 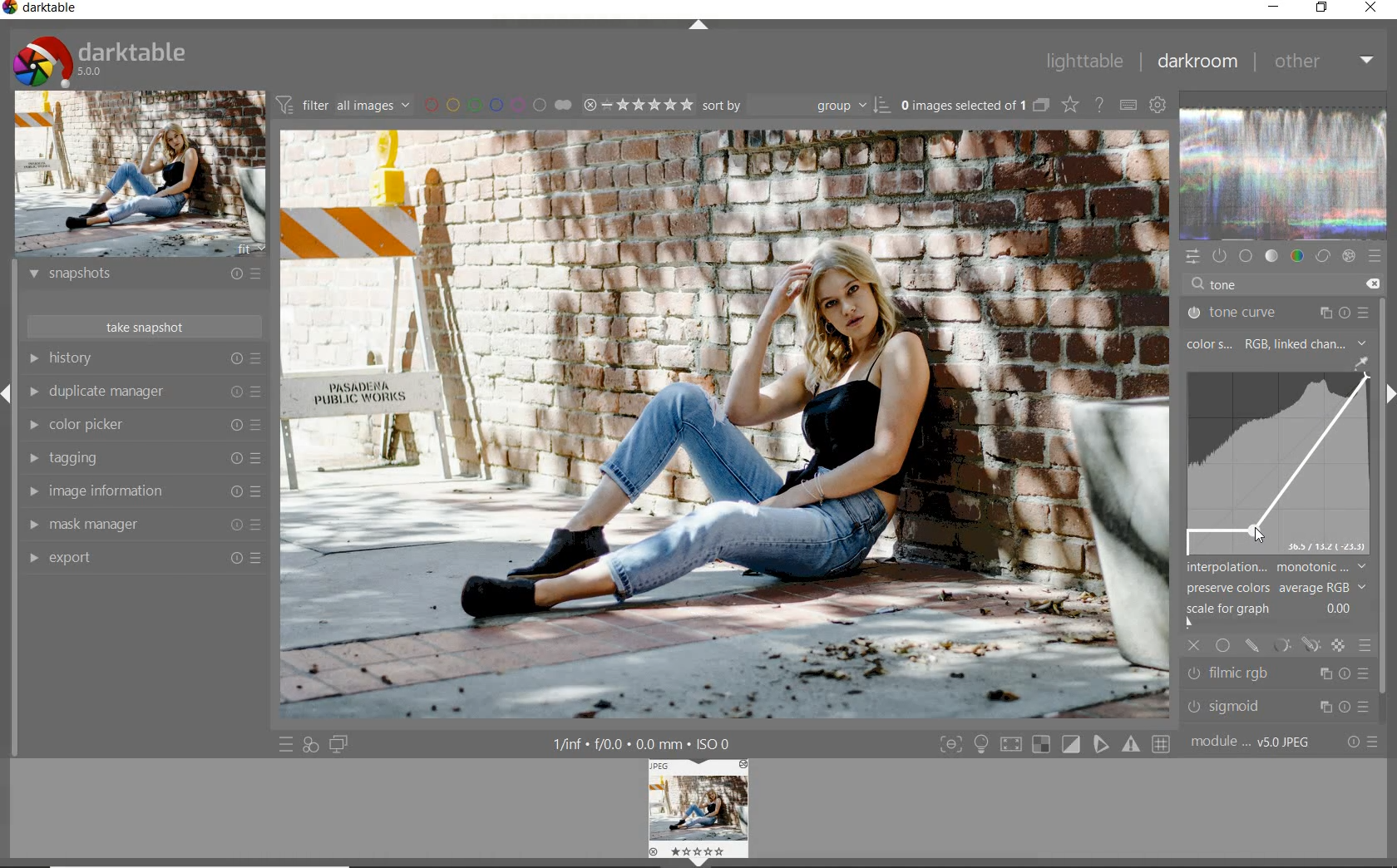 I want to click on filter images based on their modules, so click(x=346, y=106).